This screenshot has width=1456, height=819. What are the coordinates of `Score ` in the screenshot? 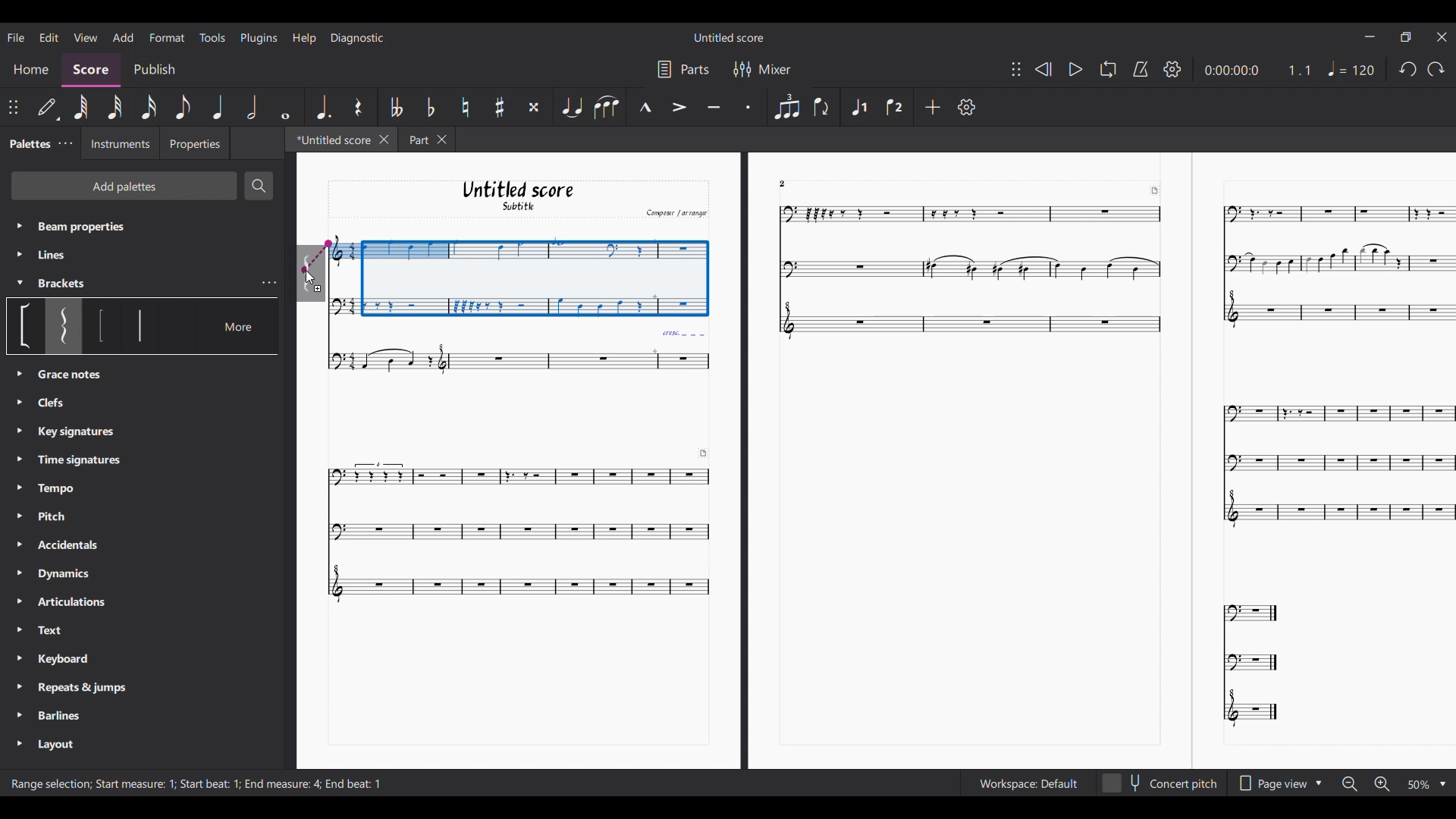 It's located at (92, 71).